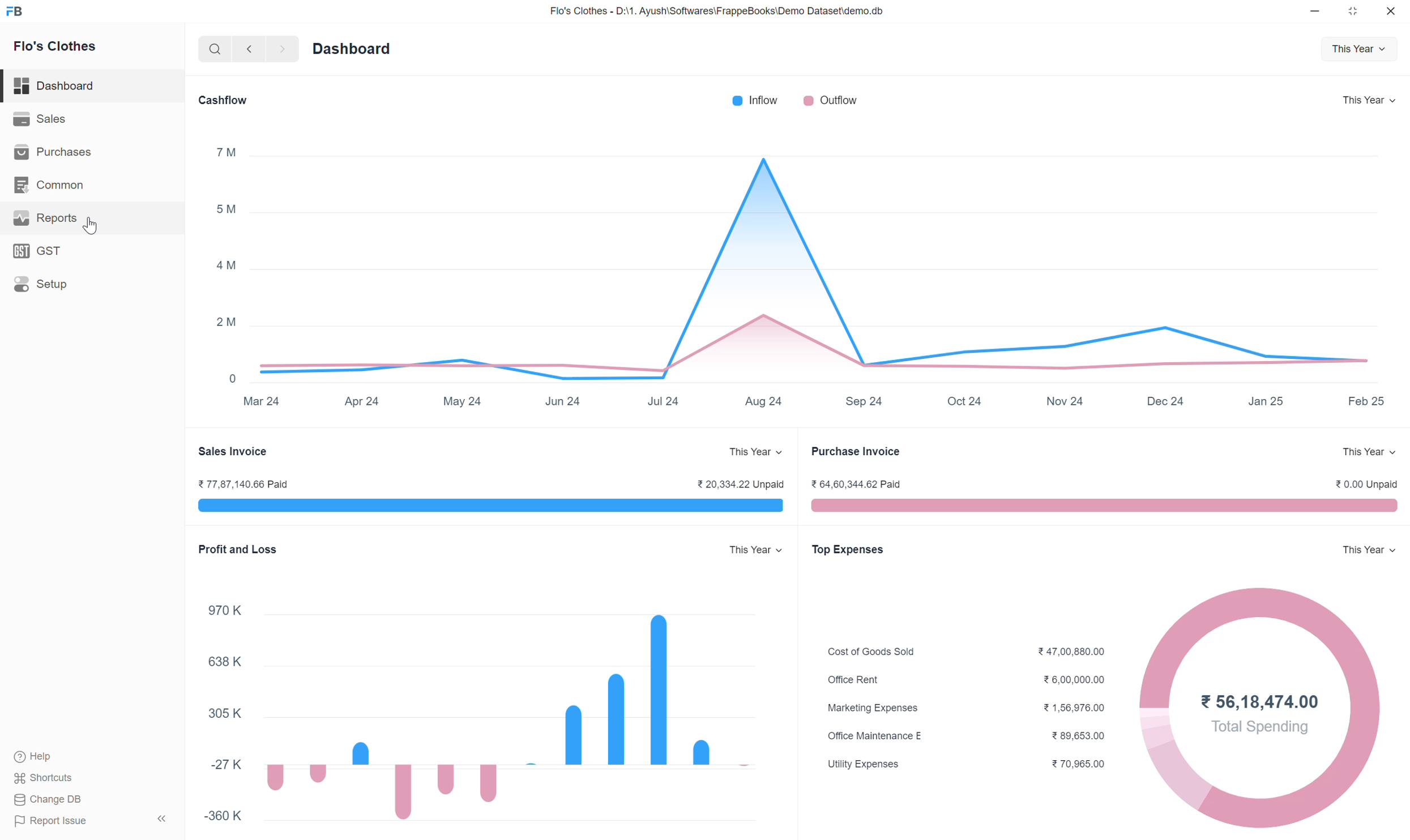 This screenshot has height=840, width=1410. What do you see at coordinates (738, 484) in the screenshot?
I see `₹ 20,334.22 unpaid` at bounding box center [738, 484].